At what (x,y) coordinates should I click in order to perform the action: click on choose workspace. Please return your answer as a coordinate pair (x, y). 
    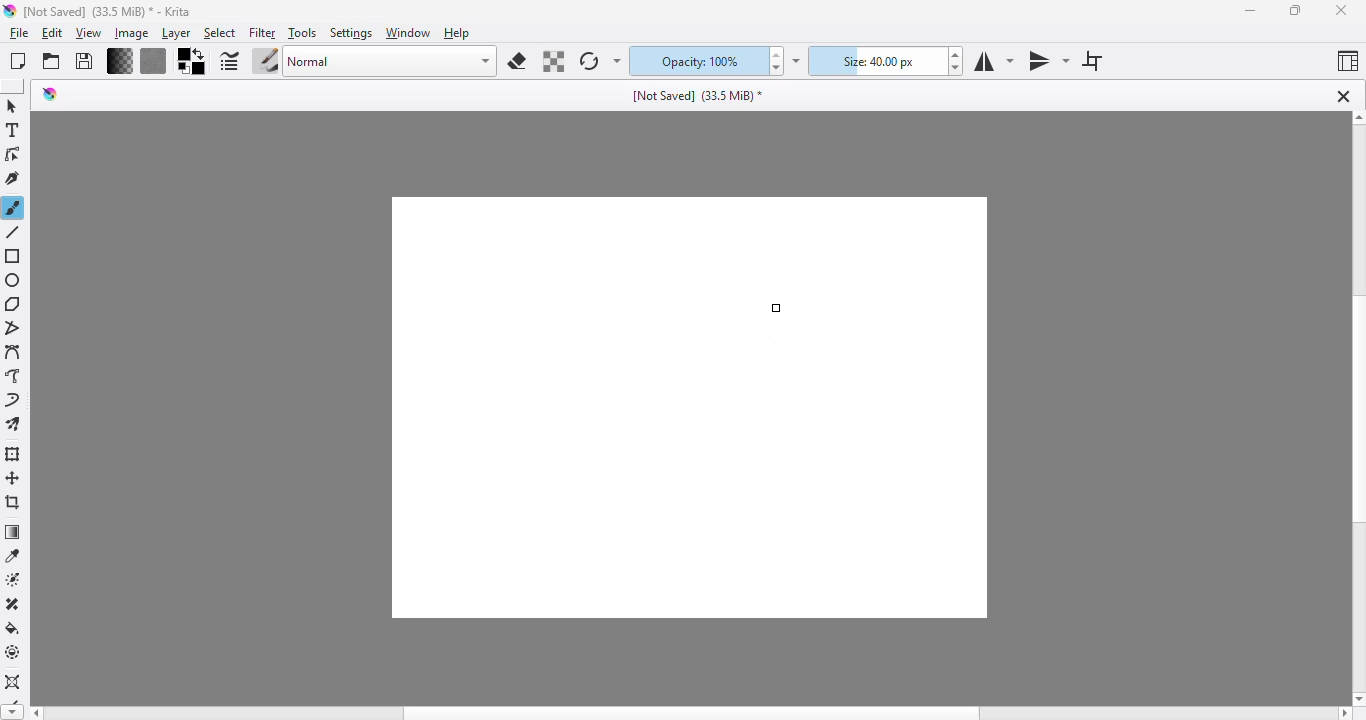
    Looking at the image, I should click on (1348, 61).